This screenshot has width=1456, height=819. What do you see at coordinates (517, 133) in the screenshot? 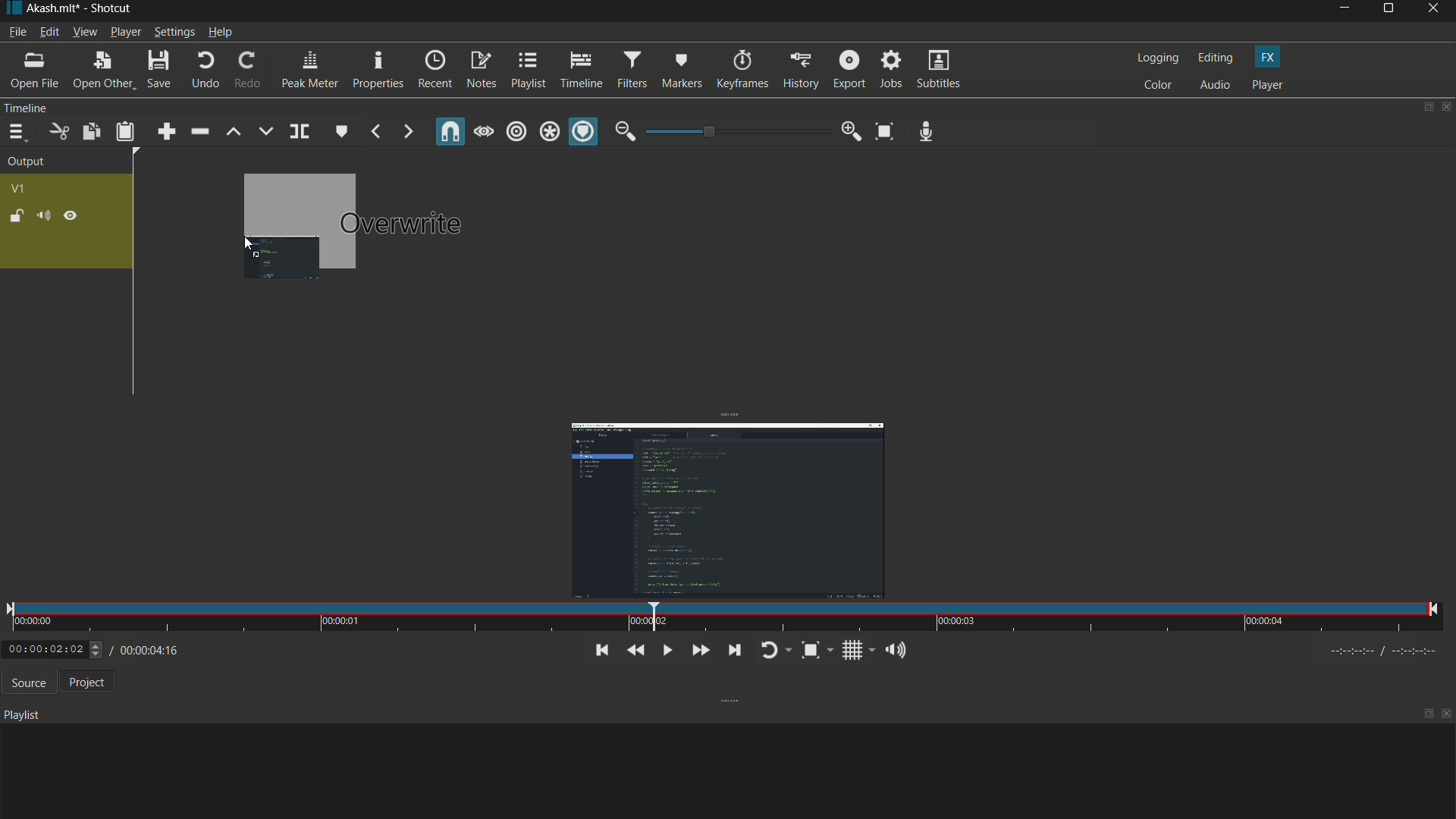
I see `ripple` at bounding box center [517, 133].